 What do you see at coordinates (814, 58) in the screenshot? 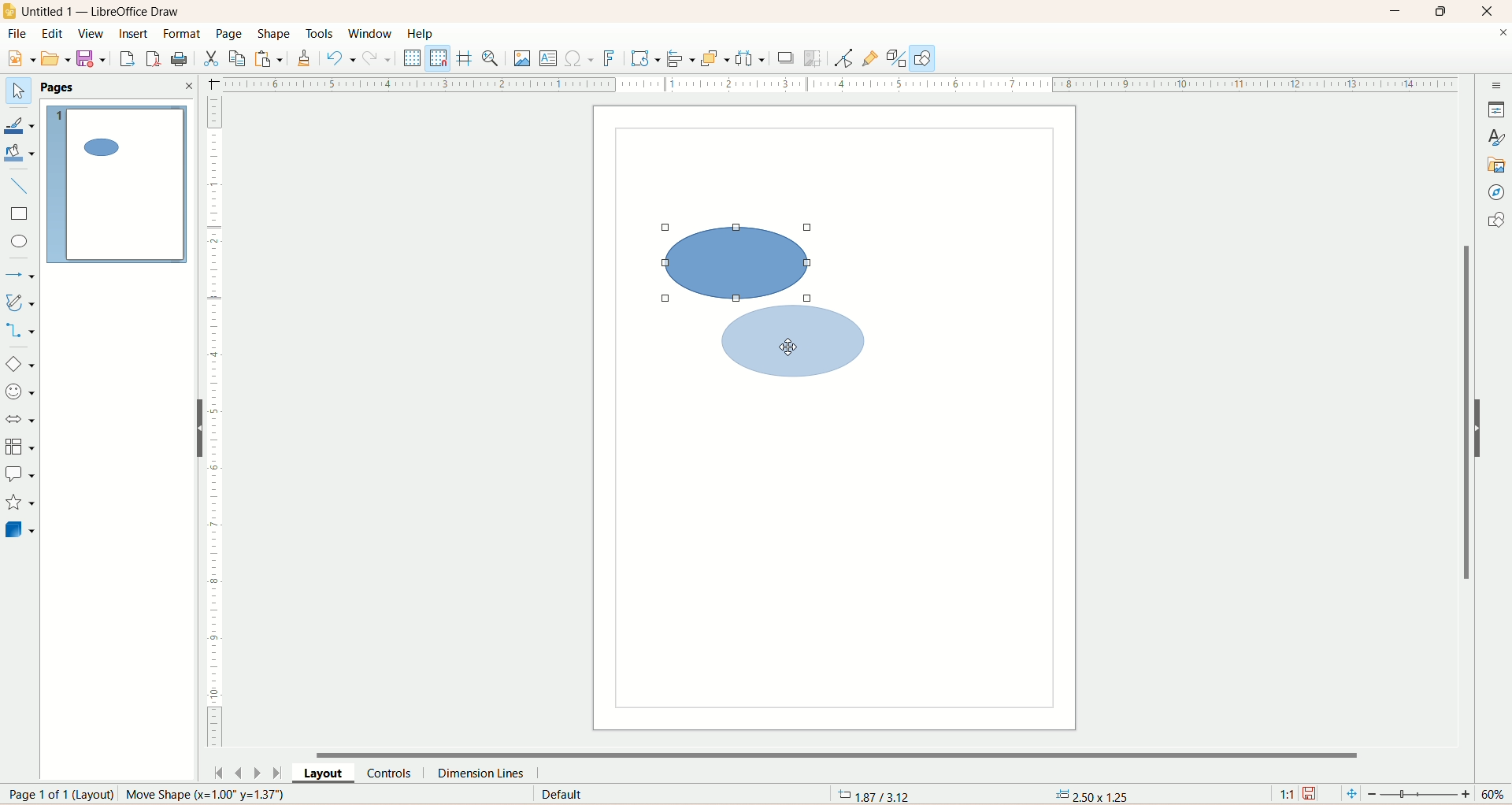
I see `crop image` at bounding box center [814, 58].